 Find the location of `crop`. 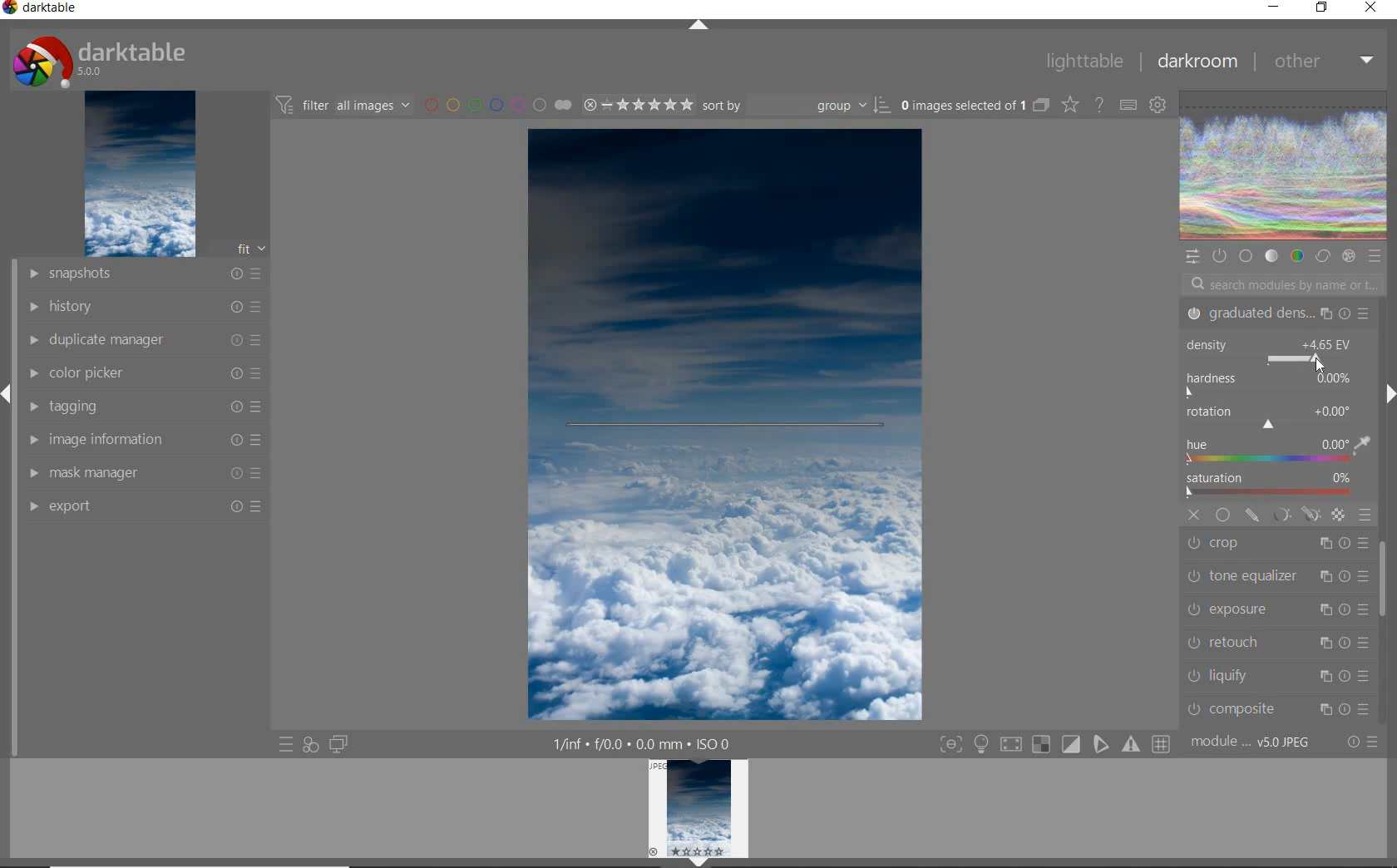

crop is located at coordinates (1278, 545).